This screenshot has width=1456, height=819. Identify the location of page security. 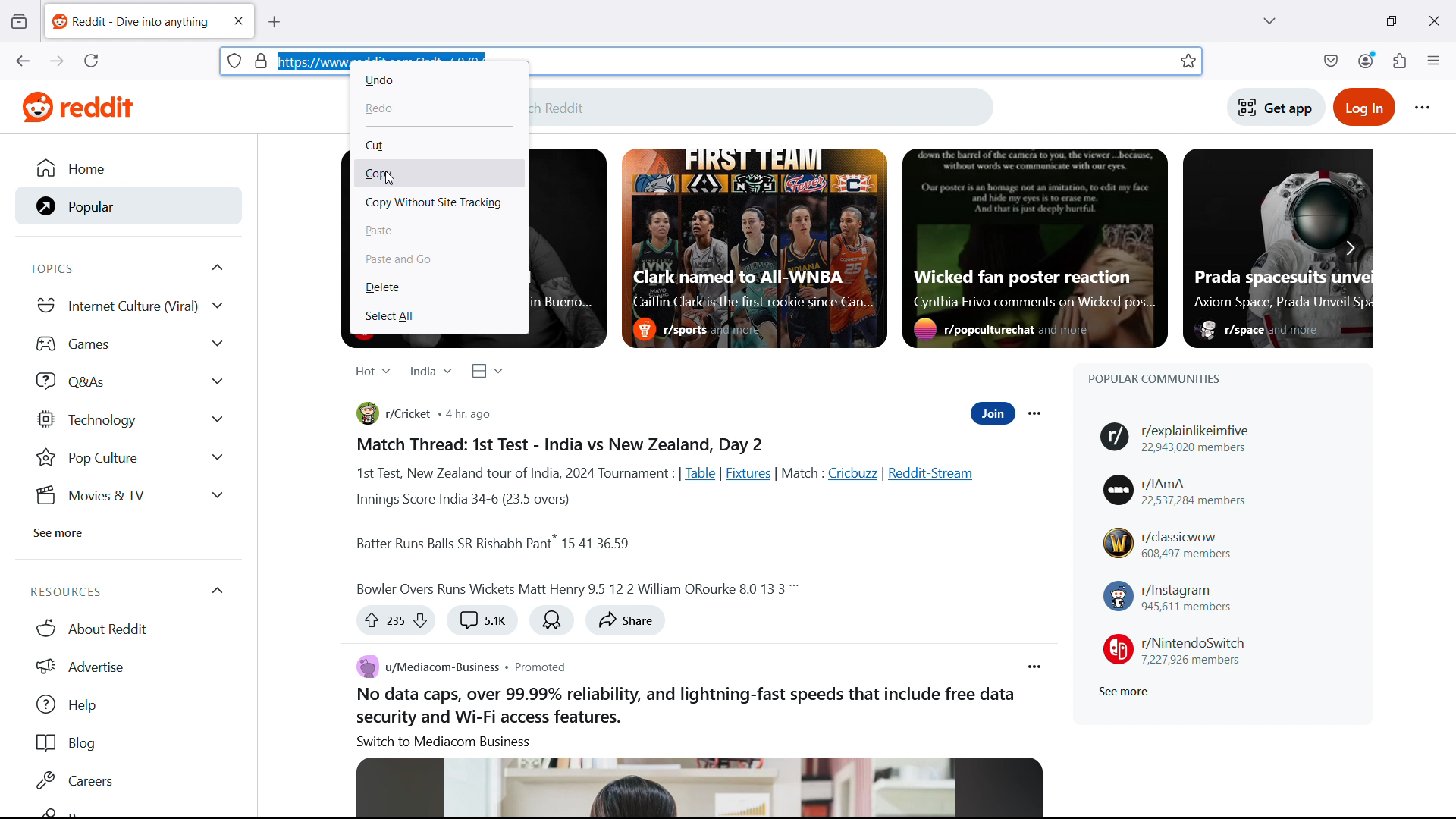
(262, 60).